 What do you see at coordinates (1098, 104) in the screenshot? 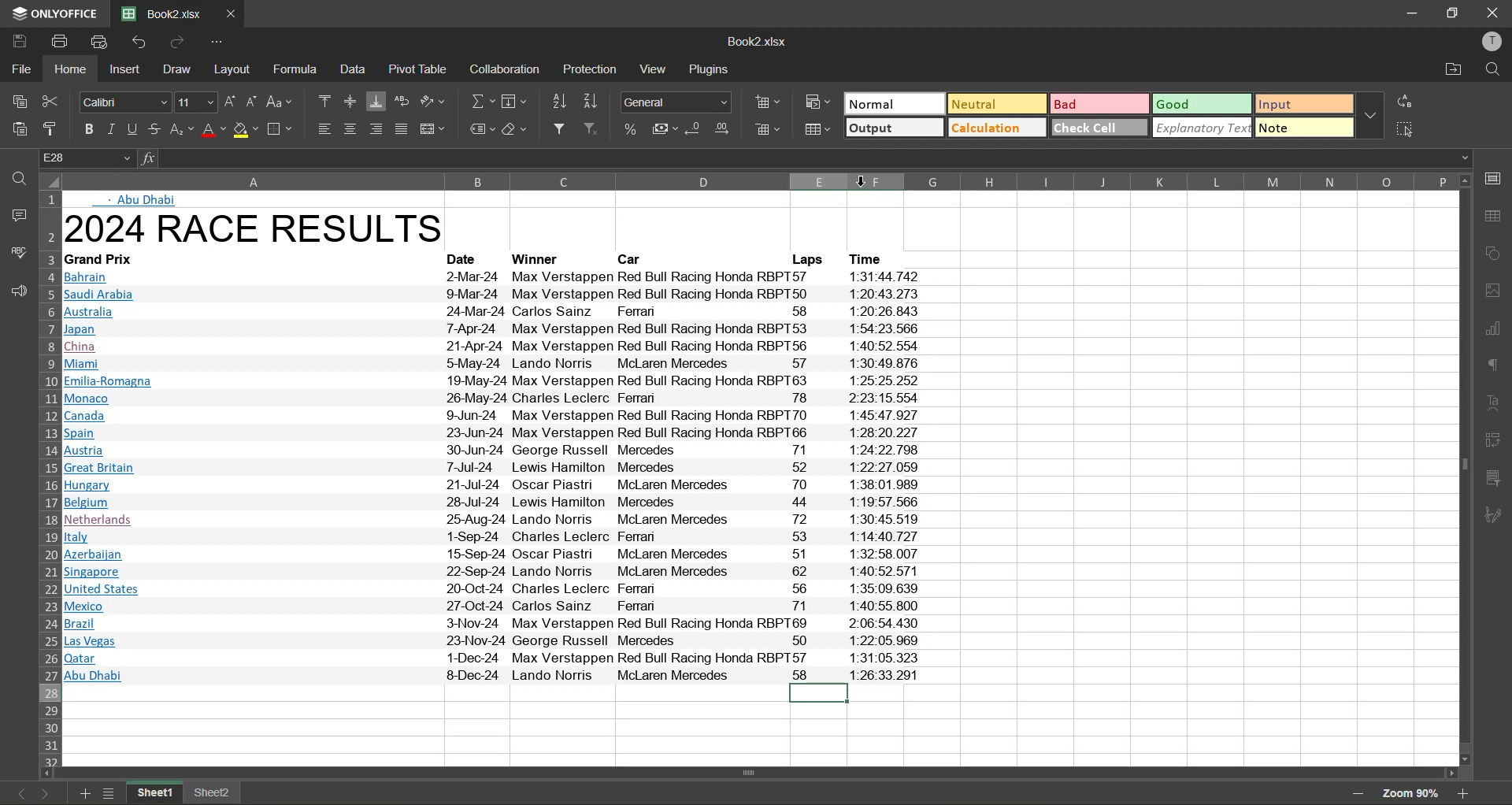
I see `bad` at bounding box center [1098, 104].